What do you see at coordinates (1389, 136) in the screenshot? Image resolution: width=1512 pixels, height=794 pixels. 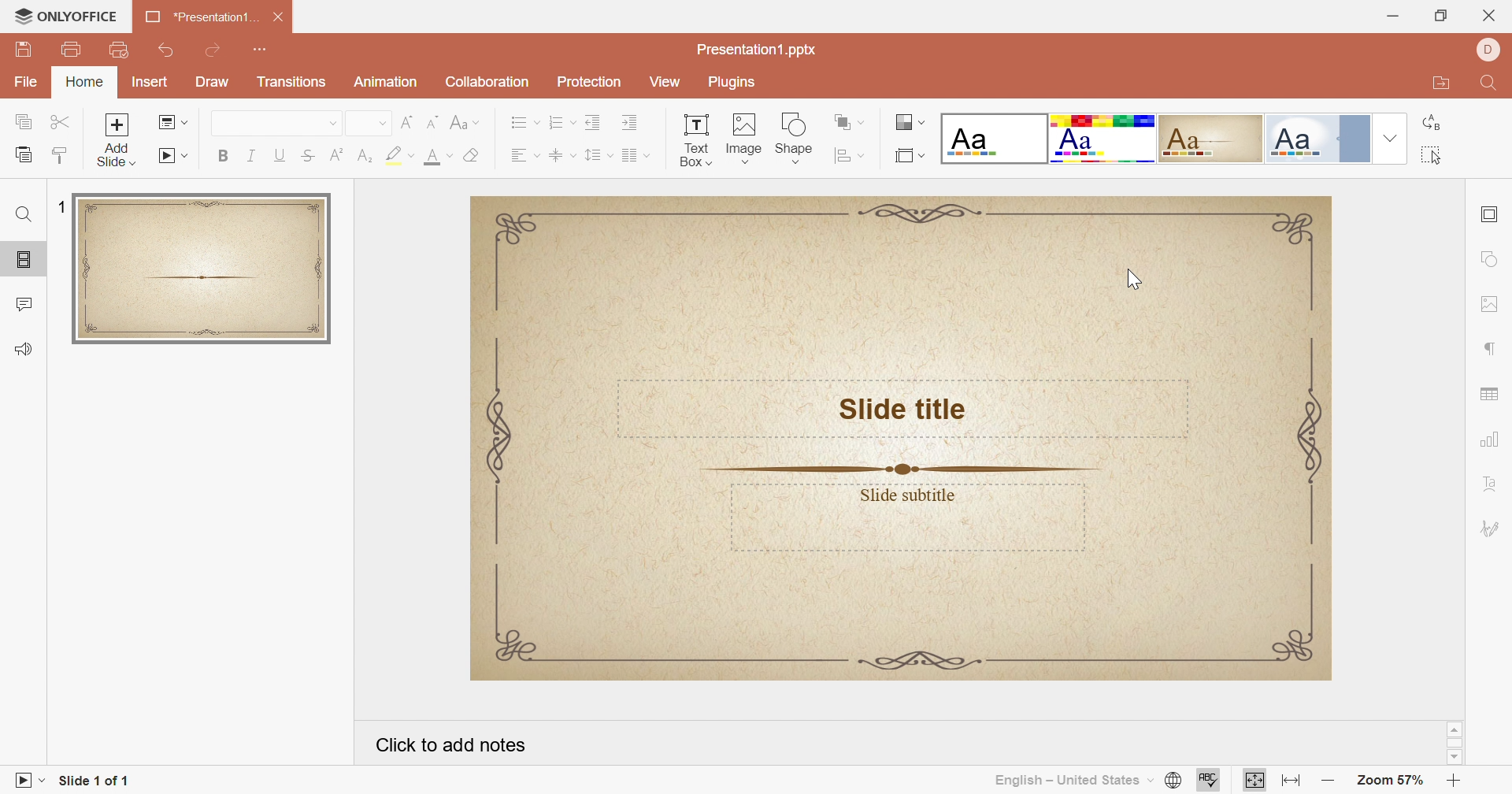 I see `Drop Down` at bounding box center [1389, 136].